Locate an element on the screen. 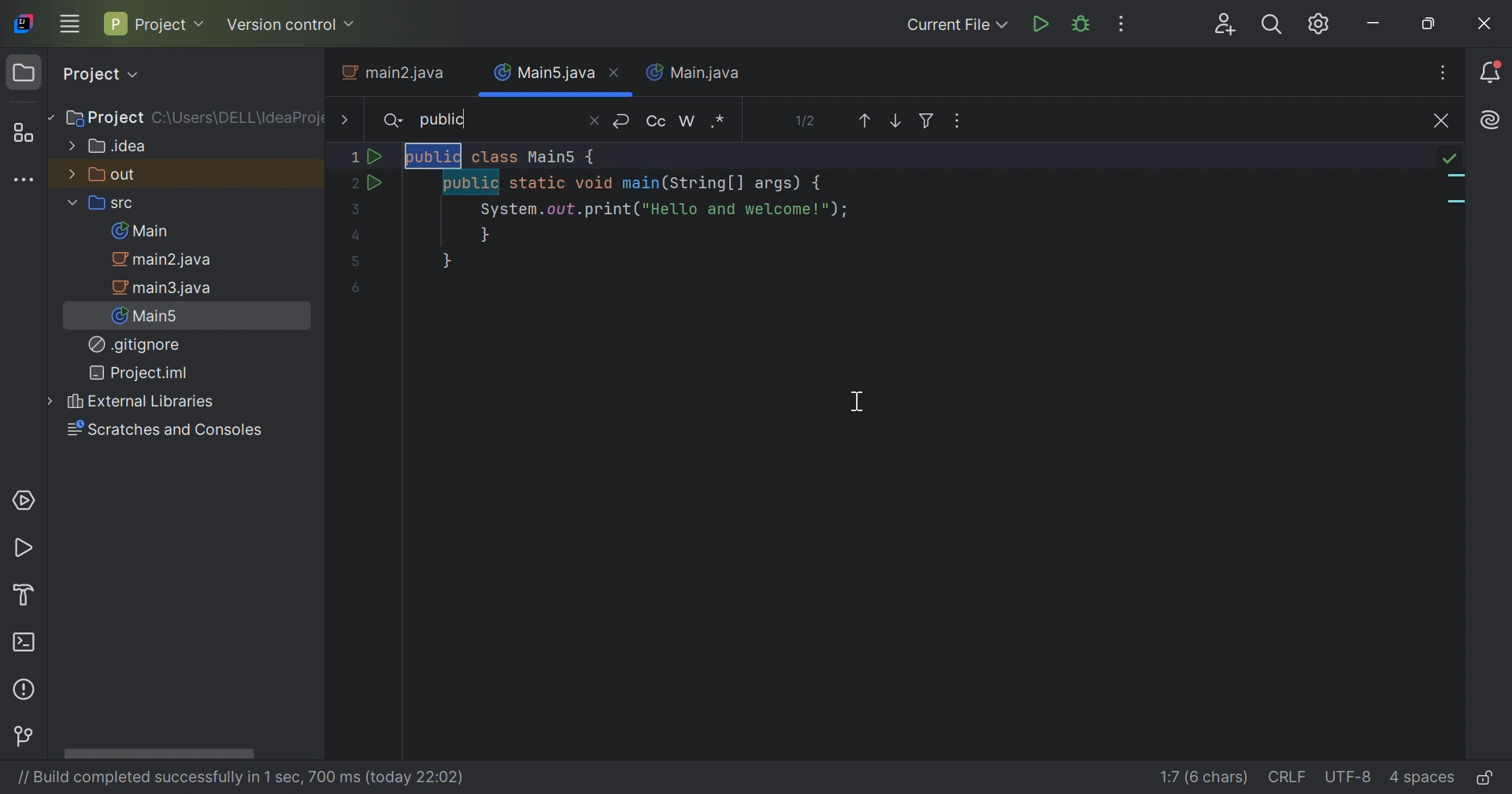 The image size is (1512, 794). More is located at coordinates (341, 121).